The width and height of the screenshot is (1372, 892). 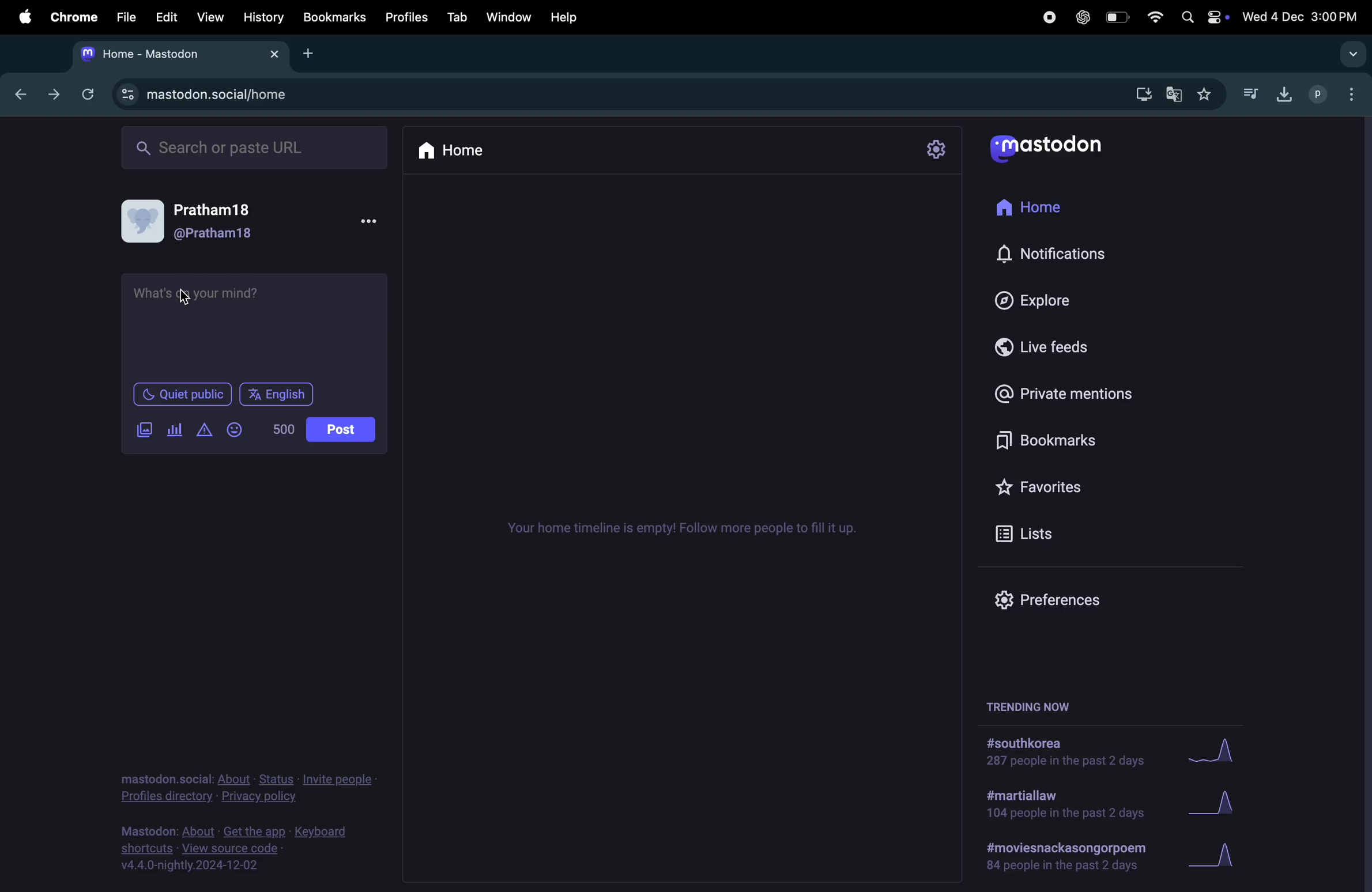 I want to click on alert, so click(x=203, y=430).